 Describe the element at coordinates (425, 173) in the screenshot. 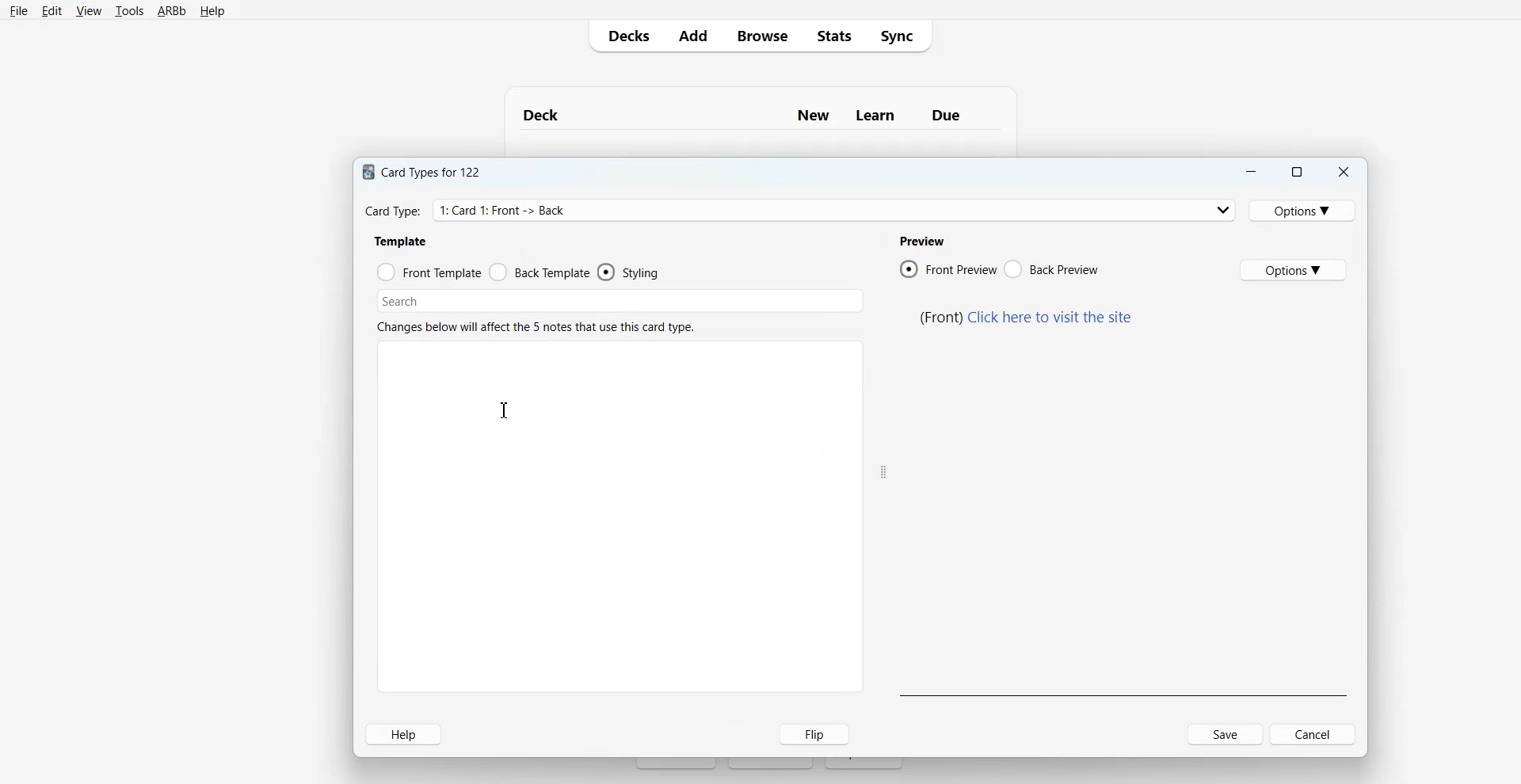

I see `text 1` at that location.